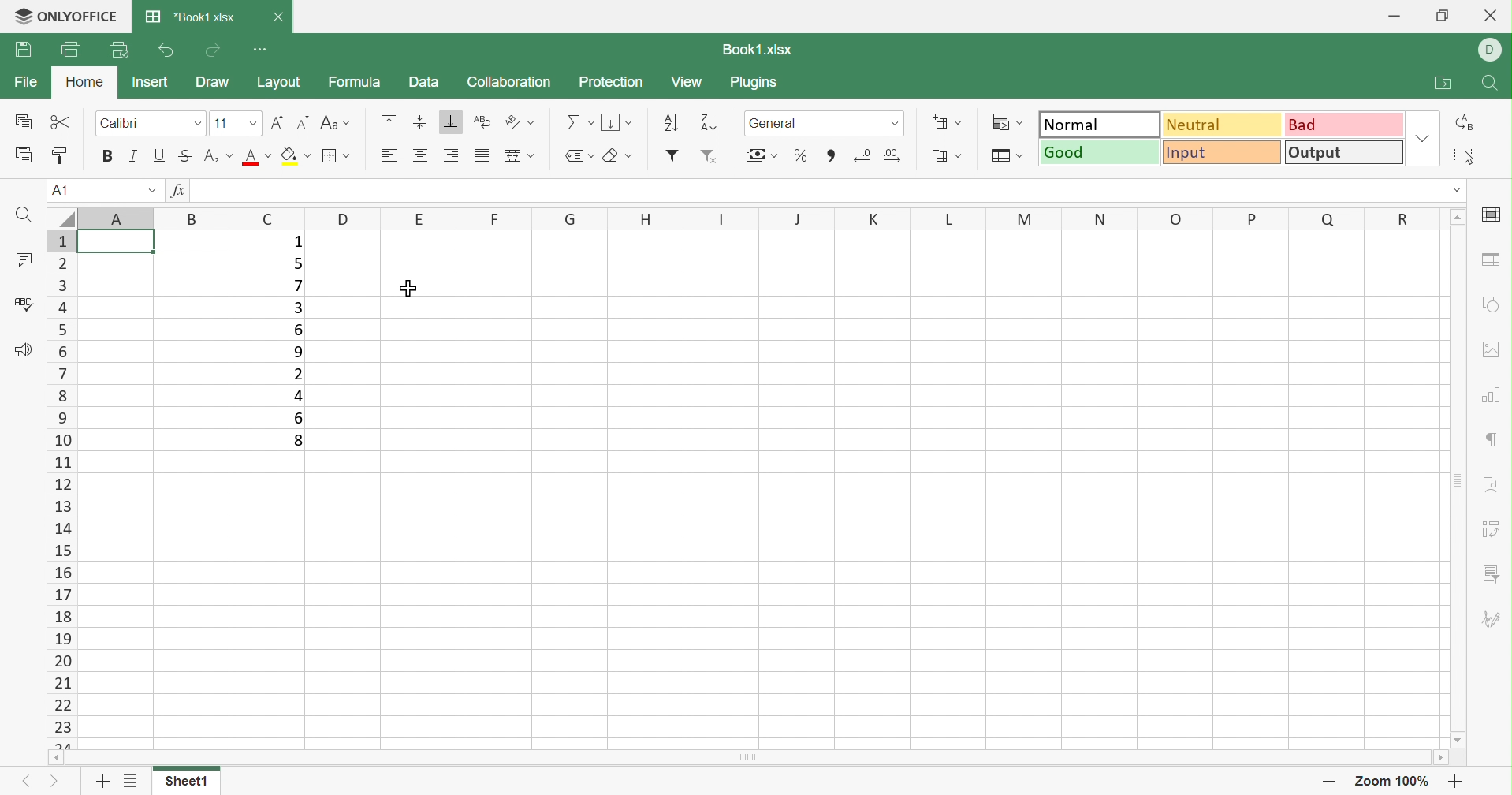 The height and width of the screenshot is (795, 1512). What do you see at coordinates (1009, 155) in the screenshot?
I see `Format table as template` at bounding box center [1009, 155].